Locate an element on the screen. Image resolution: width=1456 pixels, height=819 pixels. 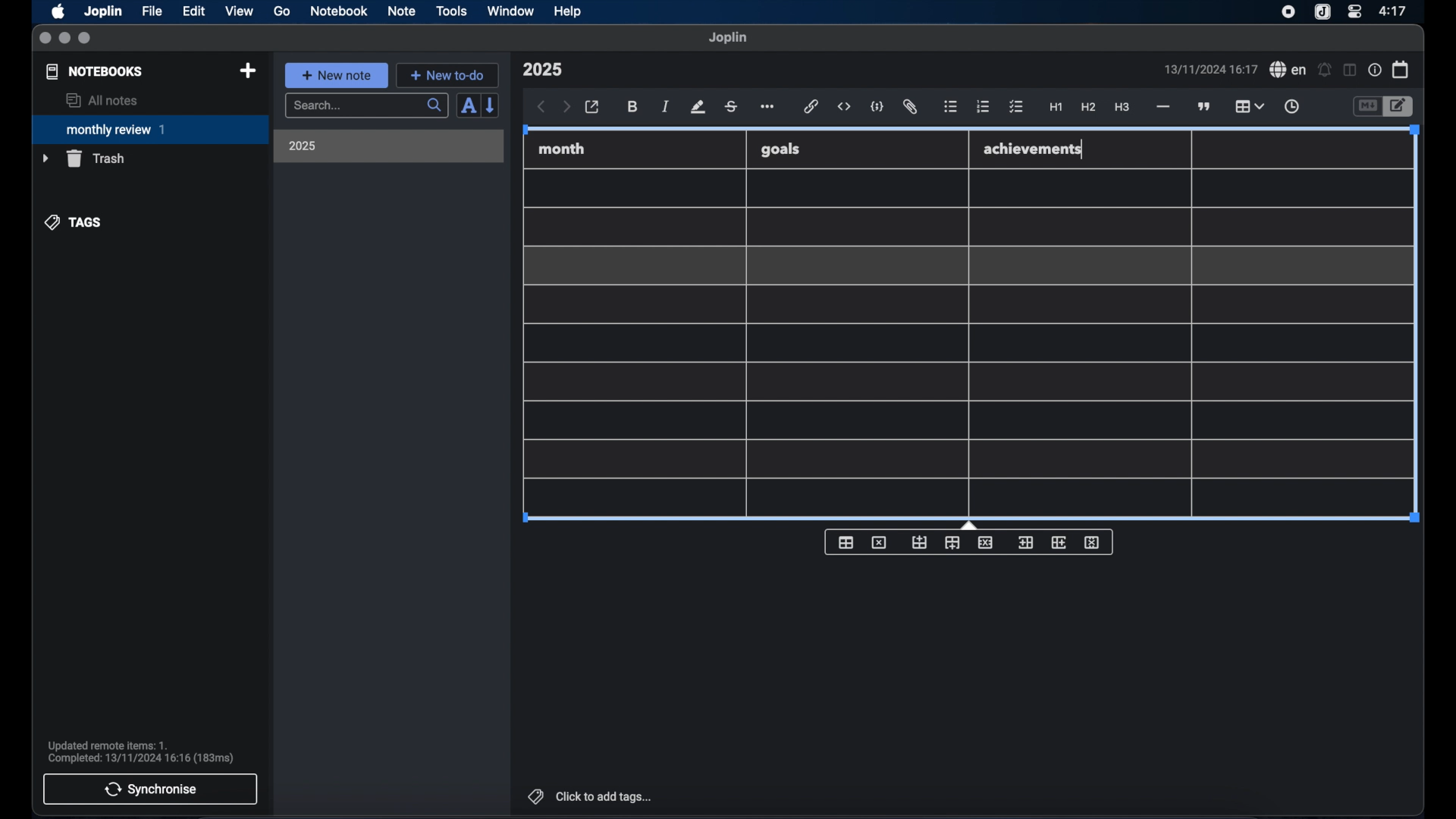
minimize is located at coordinates (64, 39).